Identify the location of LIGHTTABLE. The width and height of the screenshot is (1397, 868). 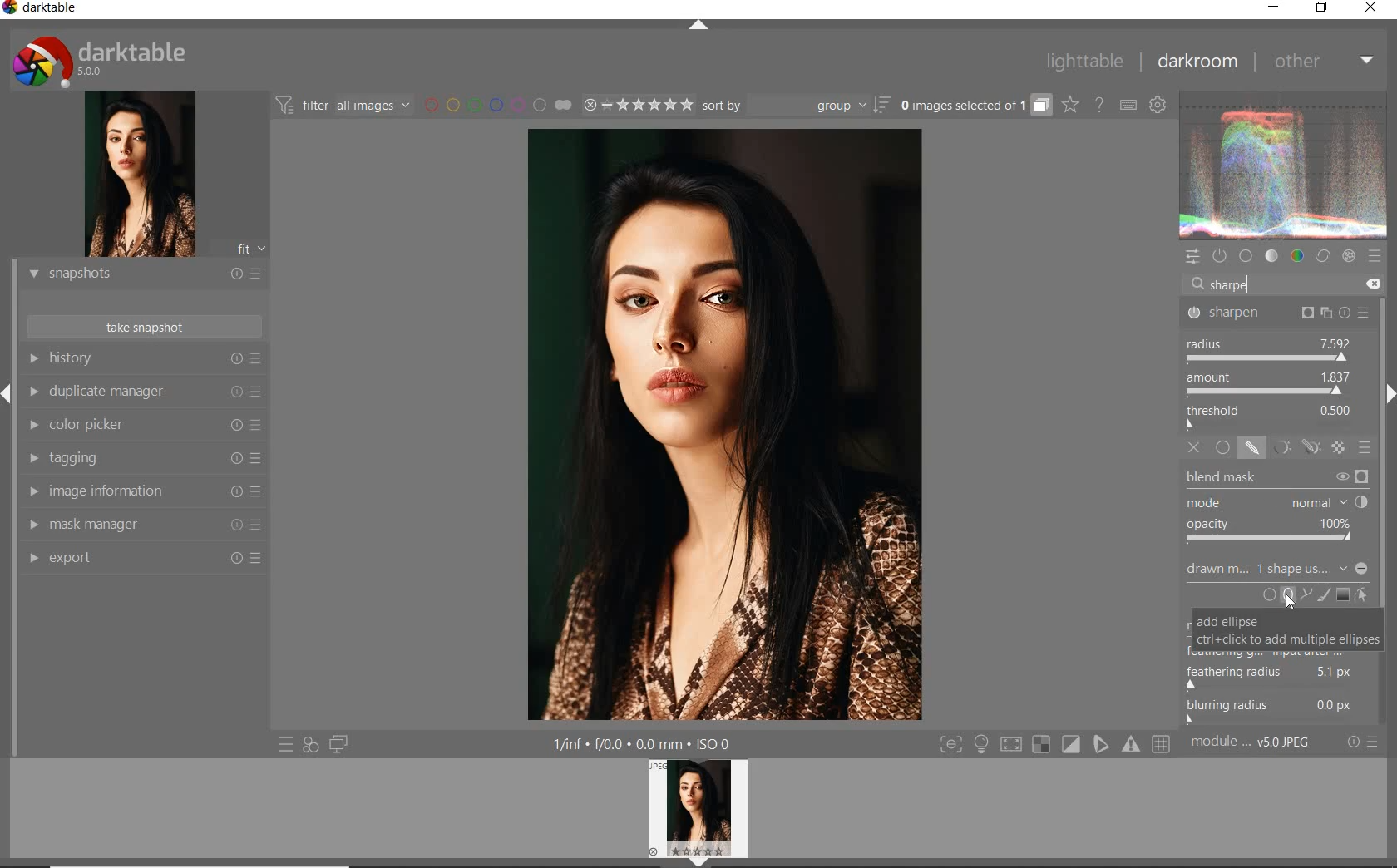
(1083, 62).